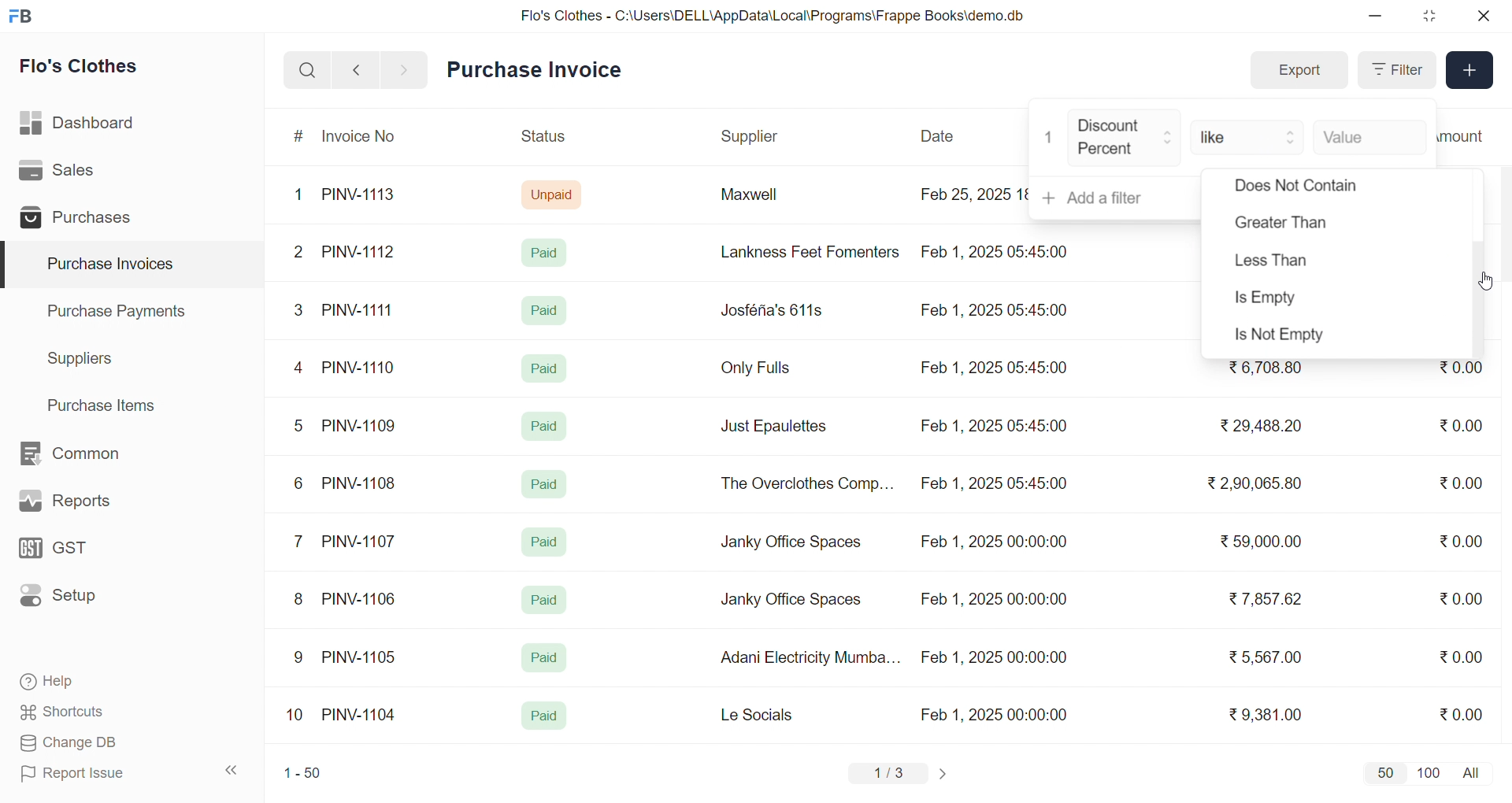 The width and height of the screenshot is (1512, 803). Describe the element at coordinates (993, 544) in the screenshot. I see `Feb 1, 2025 00:00:00` at that location.